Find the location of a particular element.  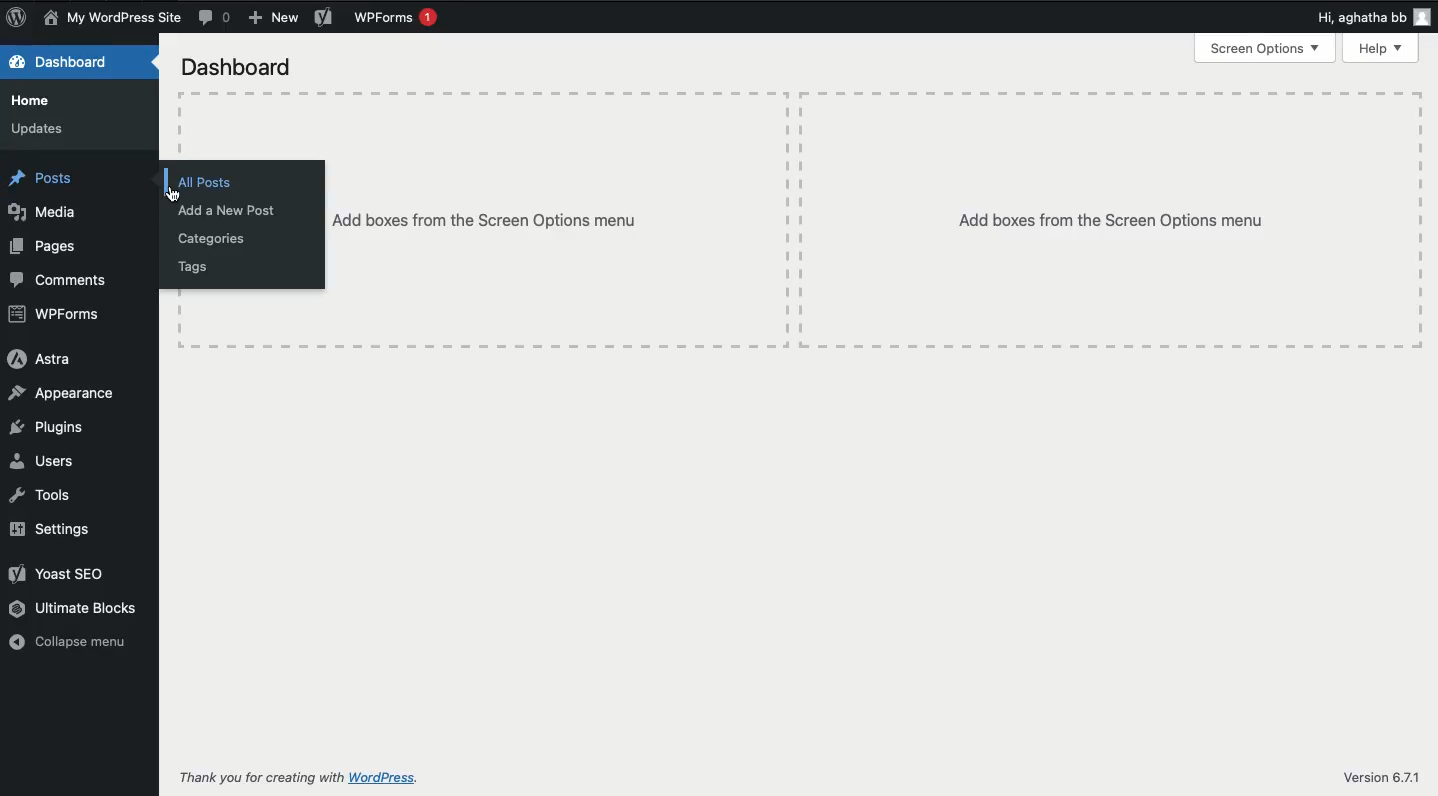

Hi user is located at coordinates (1342, 19).